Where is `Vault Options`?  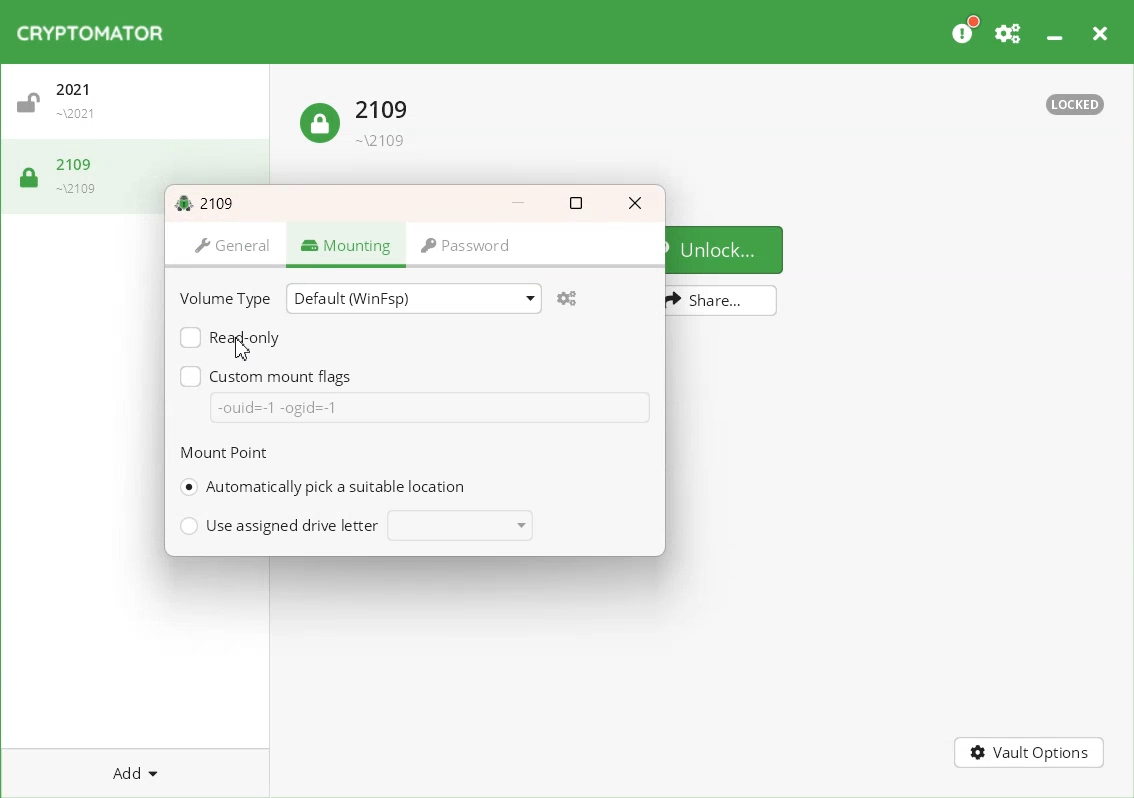
Vault Options is located at coordinates (1031, 754).